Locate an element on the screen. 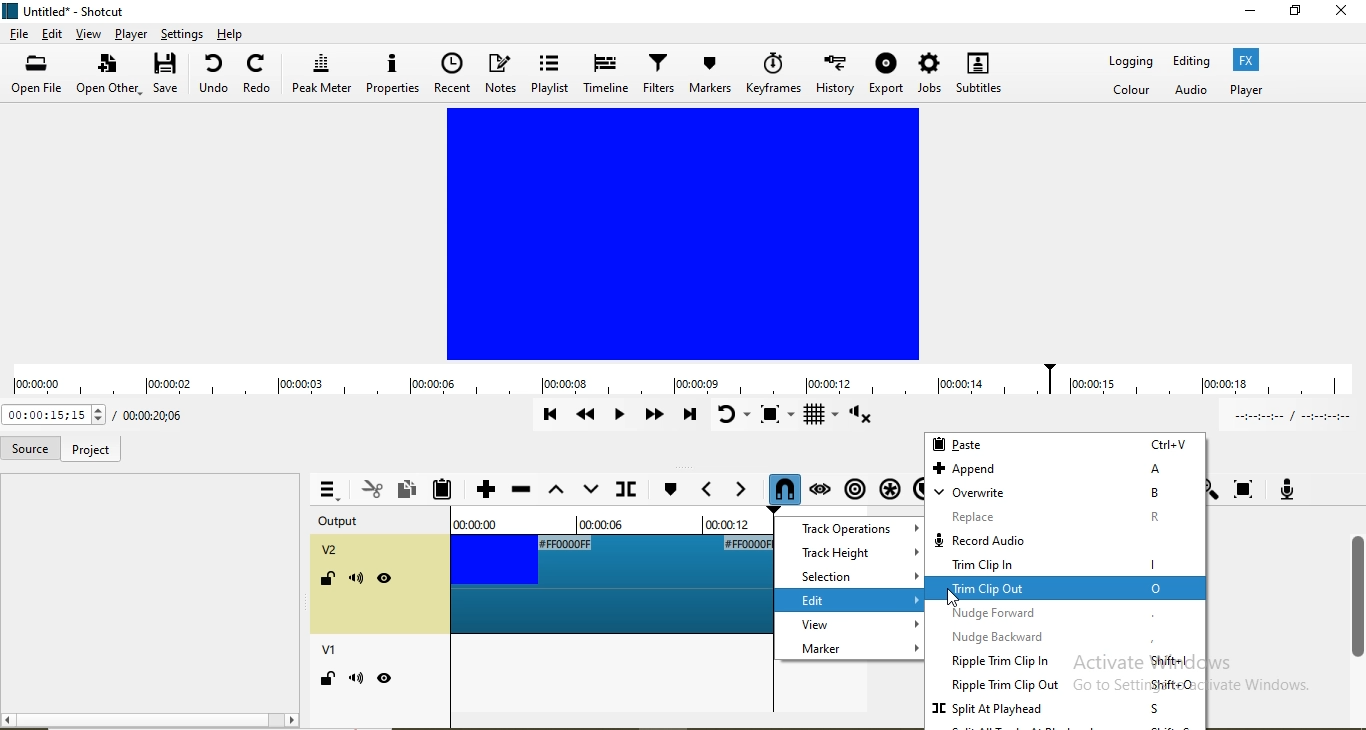  mute is located at coordinates (358, 582).